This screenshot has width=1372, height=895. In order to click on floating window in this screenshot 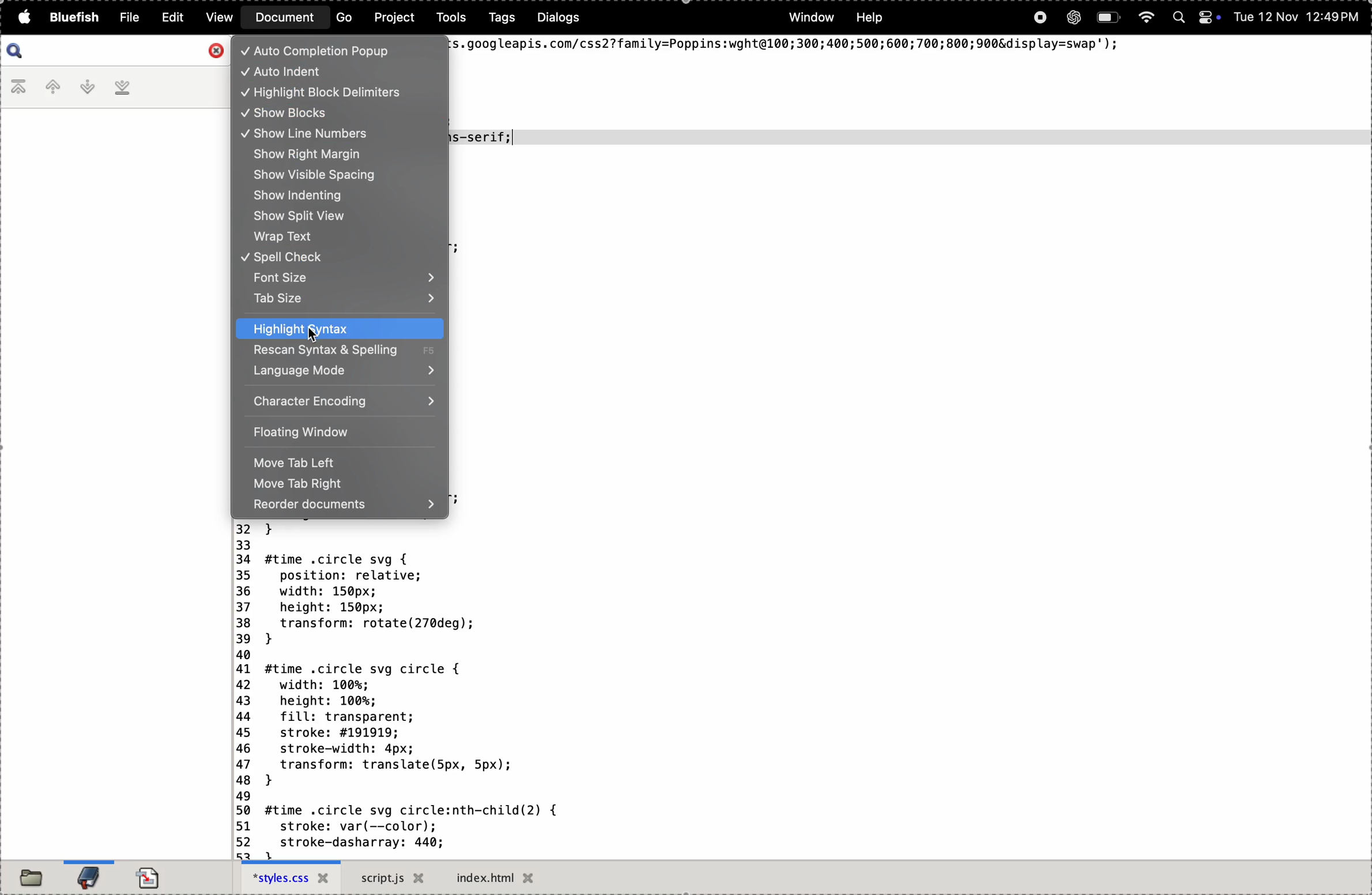, I will do `click(336, 432)`.